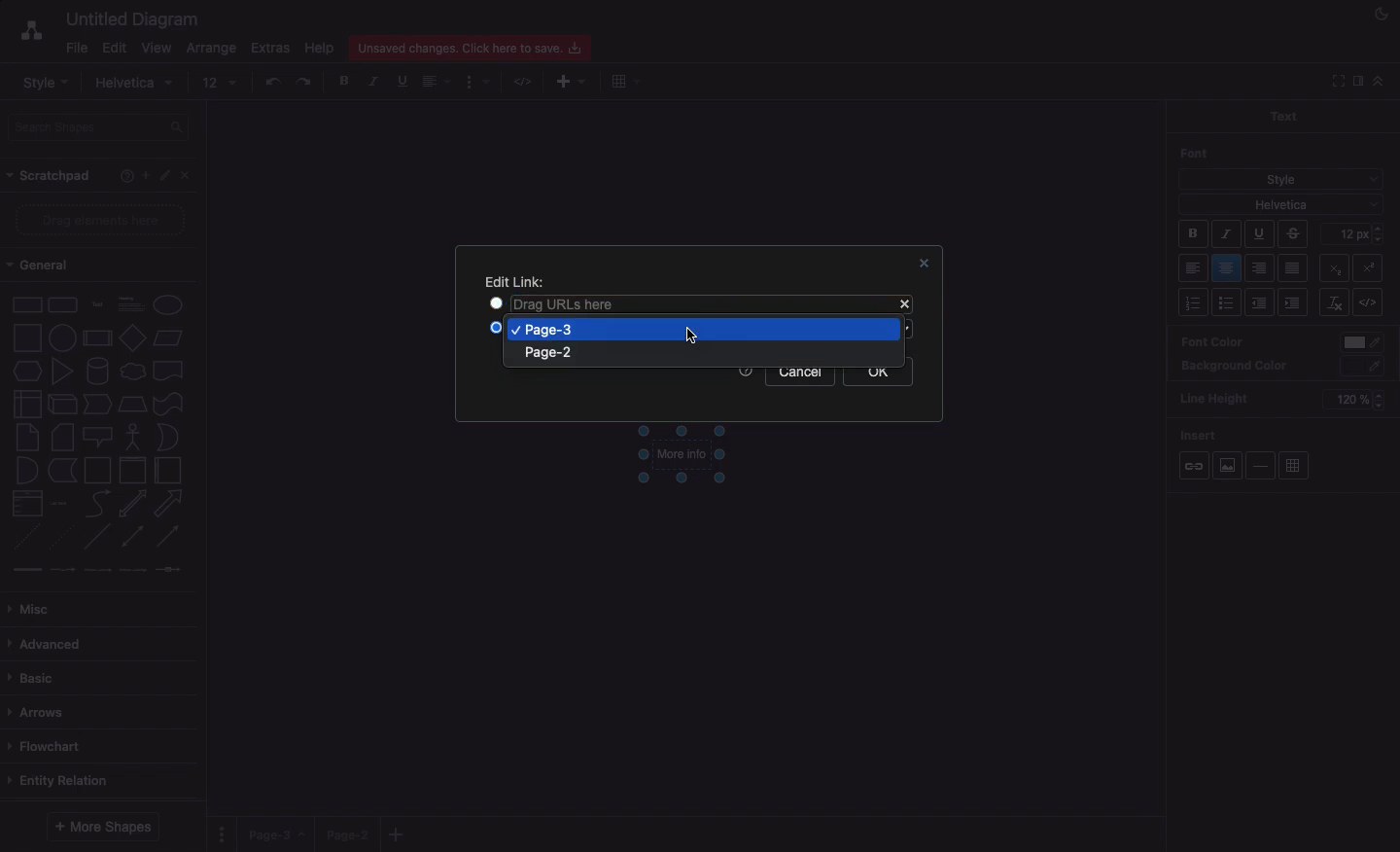 This screenshot has height=852, width=1400. Describe the element at coordinates (553, 355) in the screenshot. I see `Page 2` at that location.